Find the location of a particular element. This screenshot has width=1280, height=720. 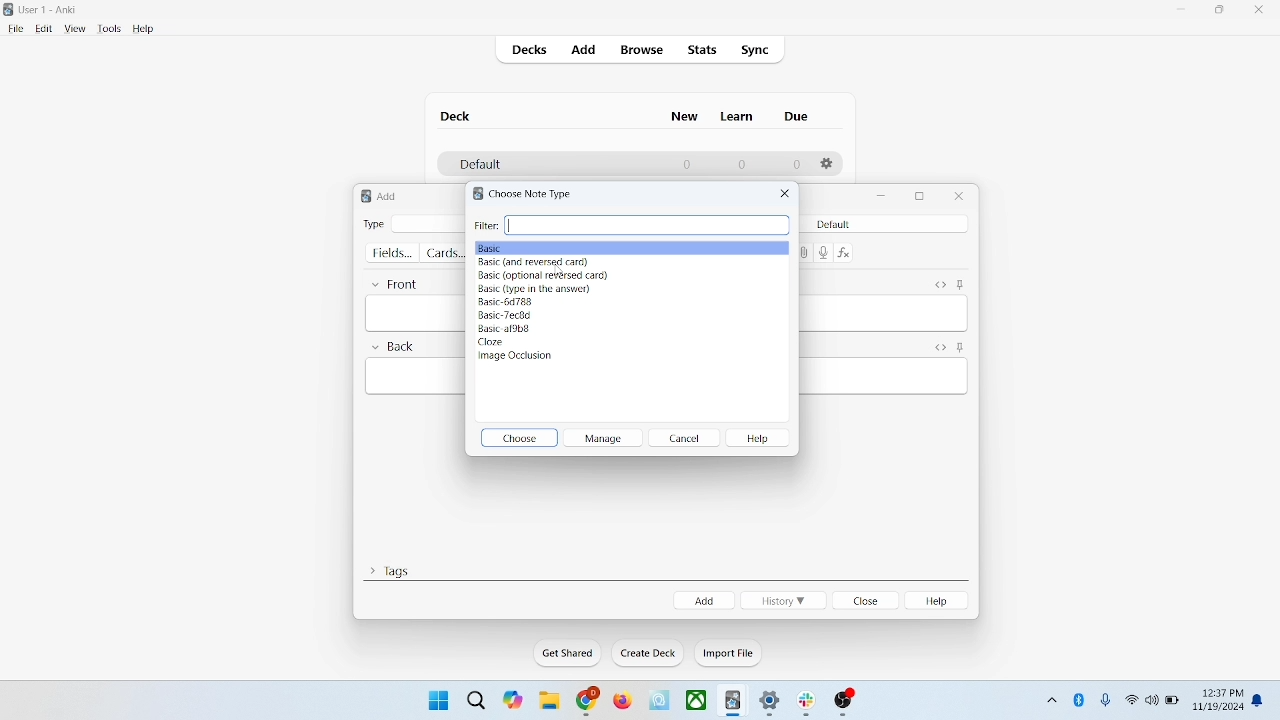

attachment is located at coordinates (804, 252).